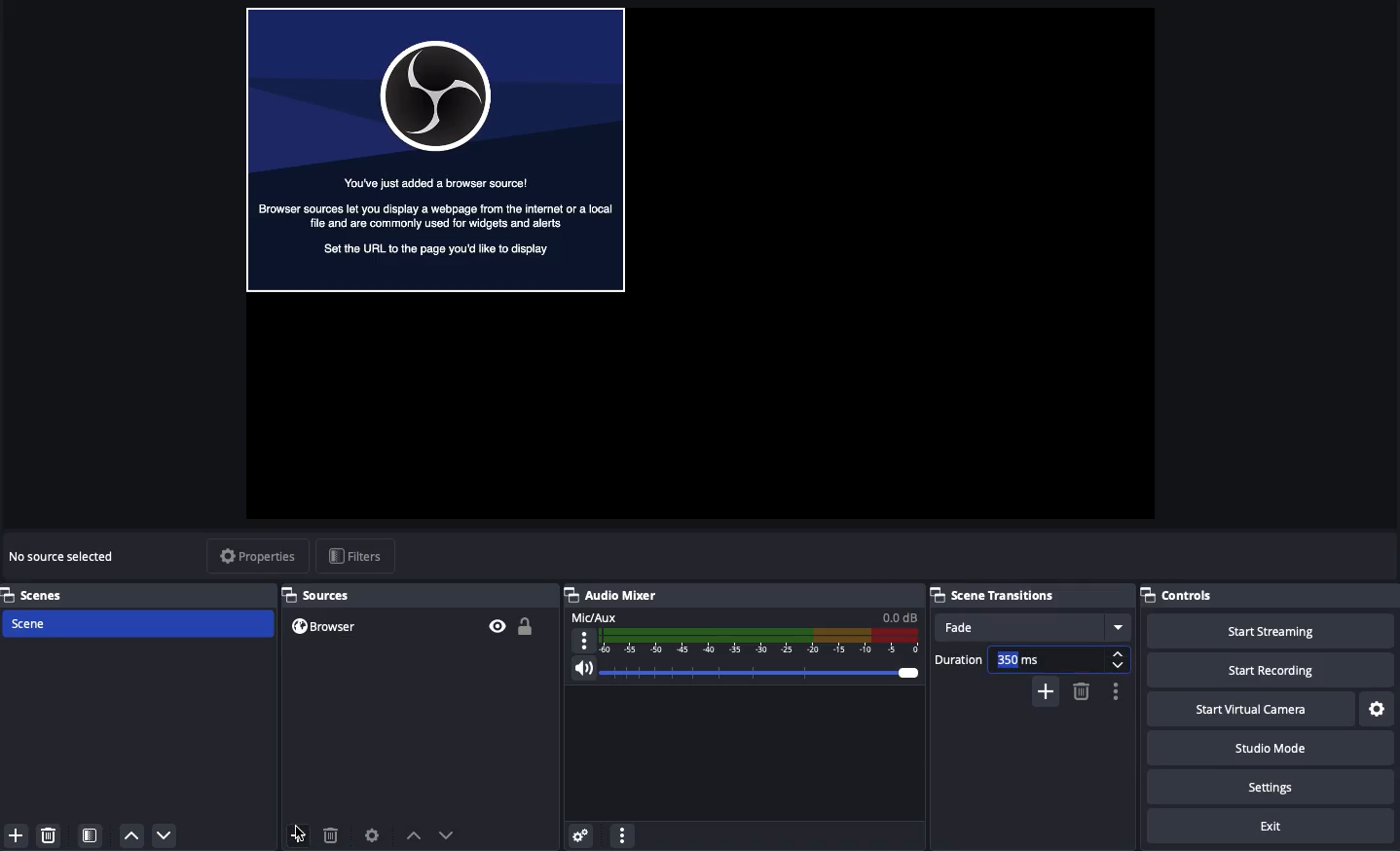 Image resolution: width=1400 pixels, height=851 pixels. What do you see at coordinates (1269, 632) in the screenshot?
I see `Start streaming` at bounding box center [1269, 632].